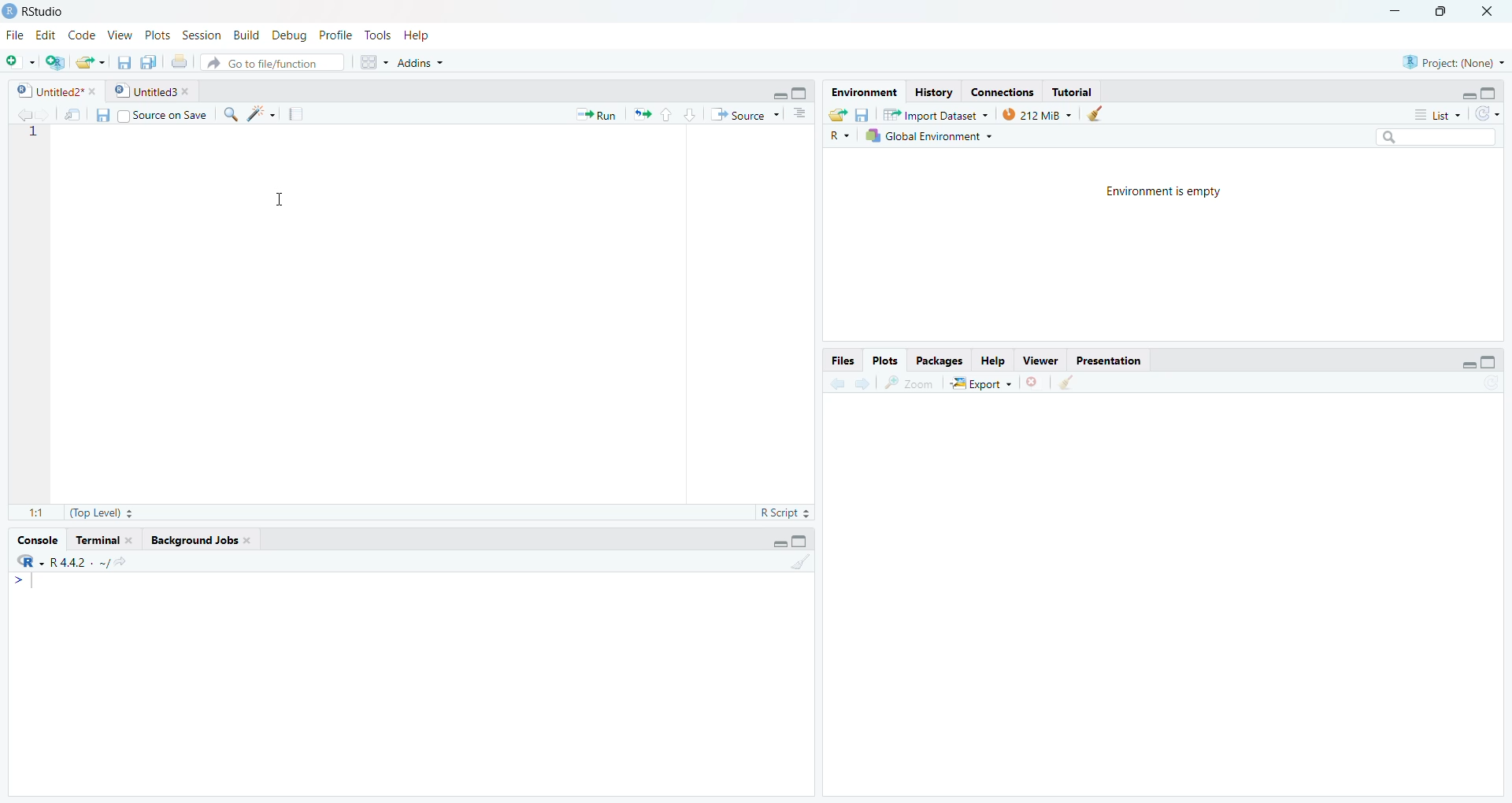  I want to click on clear, so click(1112, 113).